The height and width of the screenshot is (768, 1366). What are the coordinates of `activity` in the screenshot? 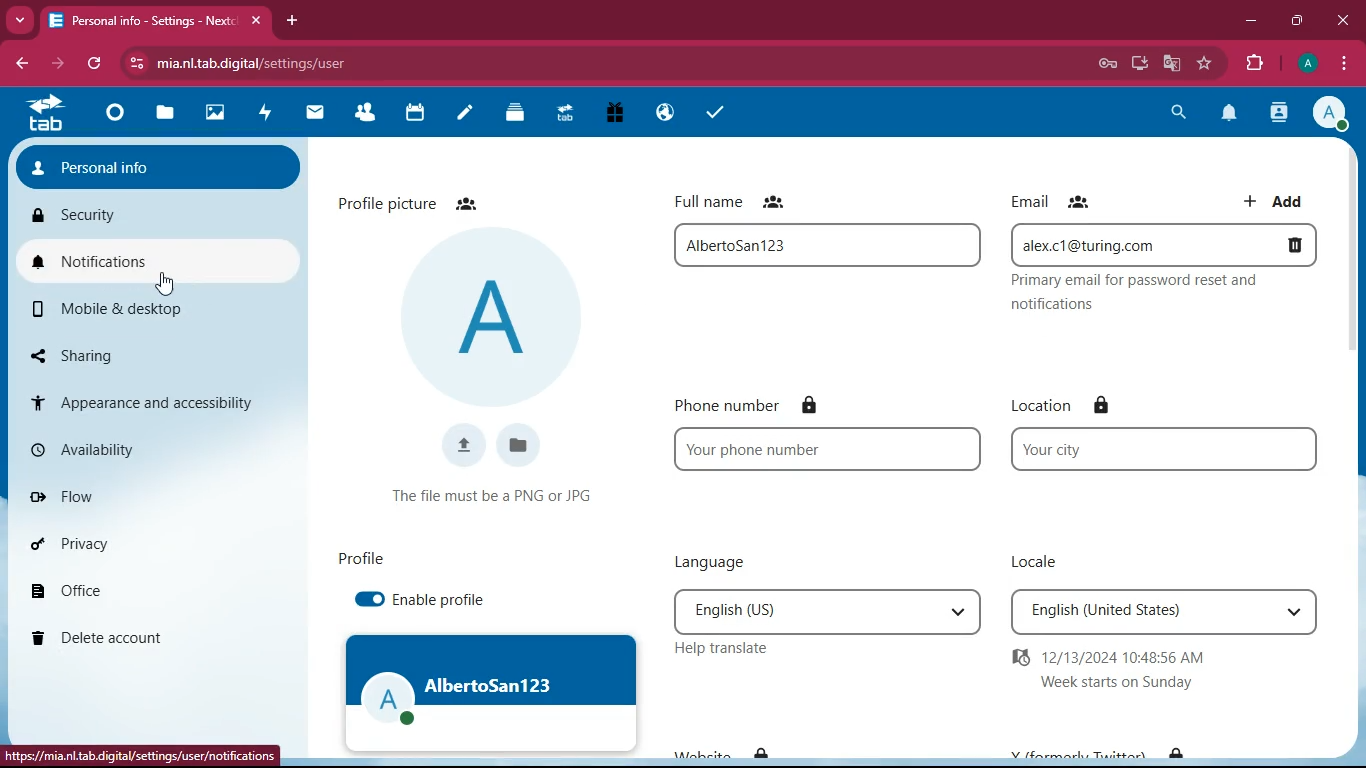 It's located at (266, 115).